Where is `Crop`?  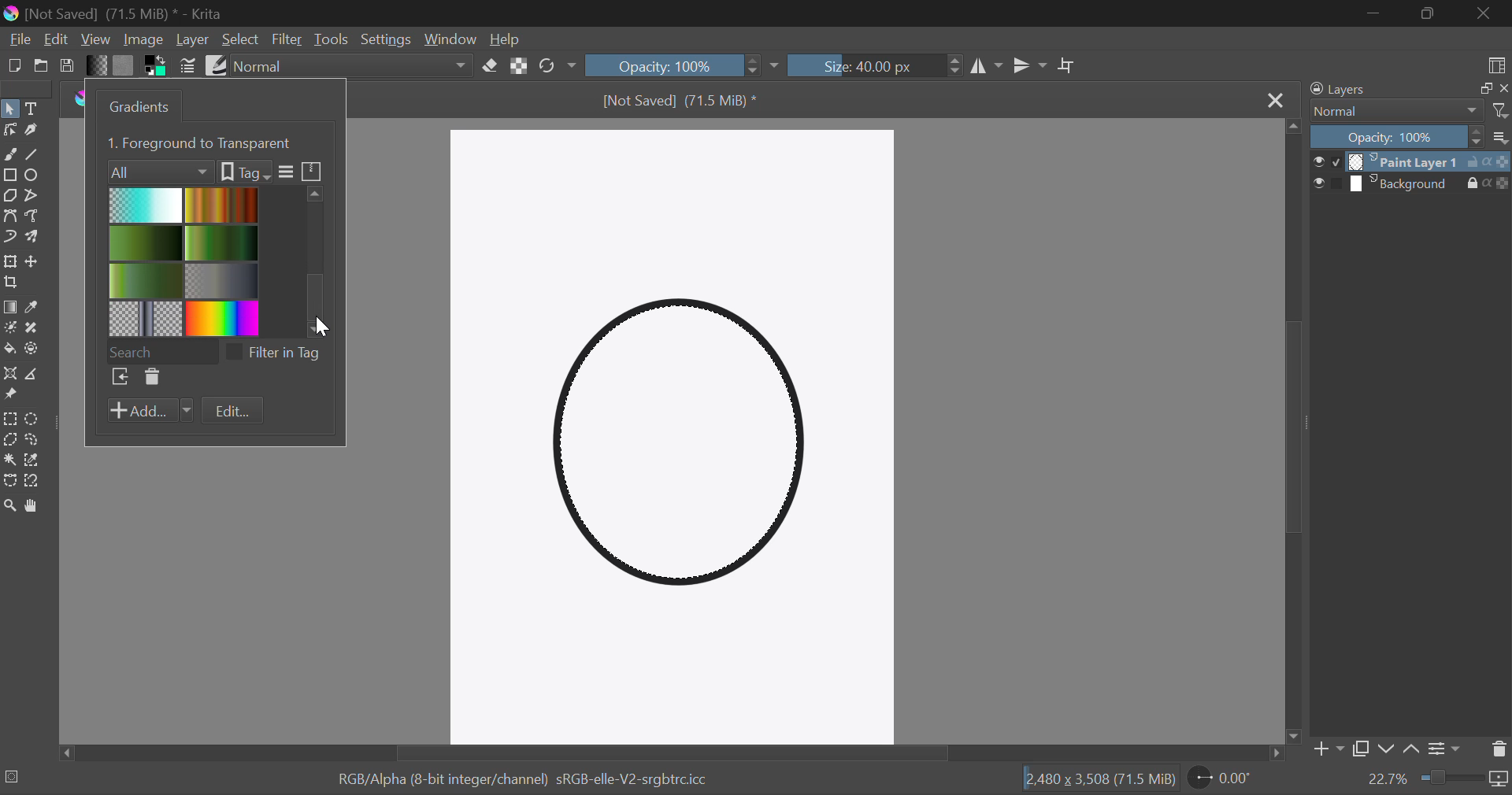 Crop is located at coordinates (1067, 66).